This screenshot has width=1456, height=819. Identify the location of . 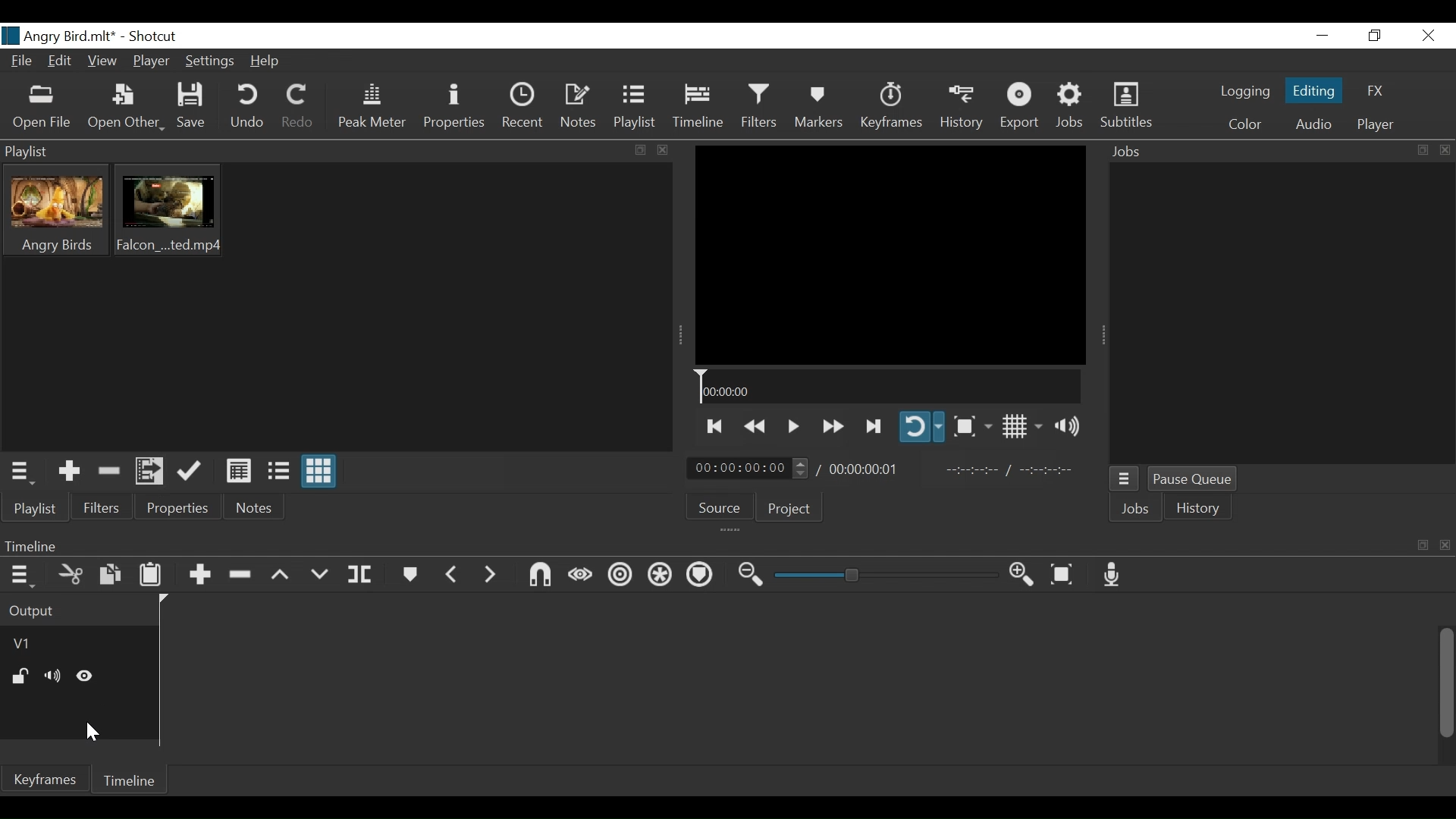
(818, 108).